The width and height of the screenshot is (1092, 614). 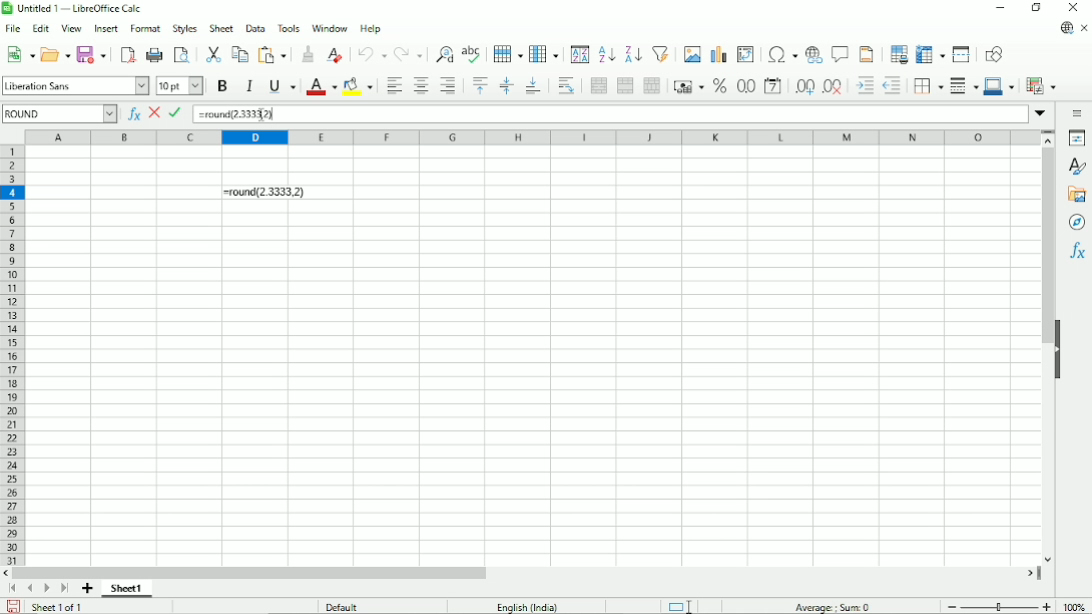 I want to click on Redo, so click(x=410, y=55).